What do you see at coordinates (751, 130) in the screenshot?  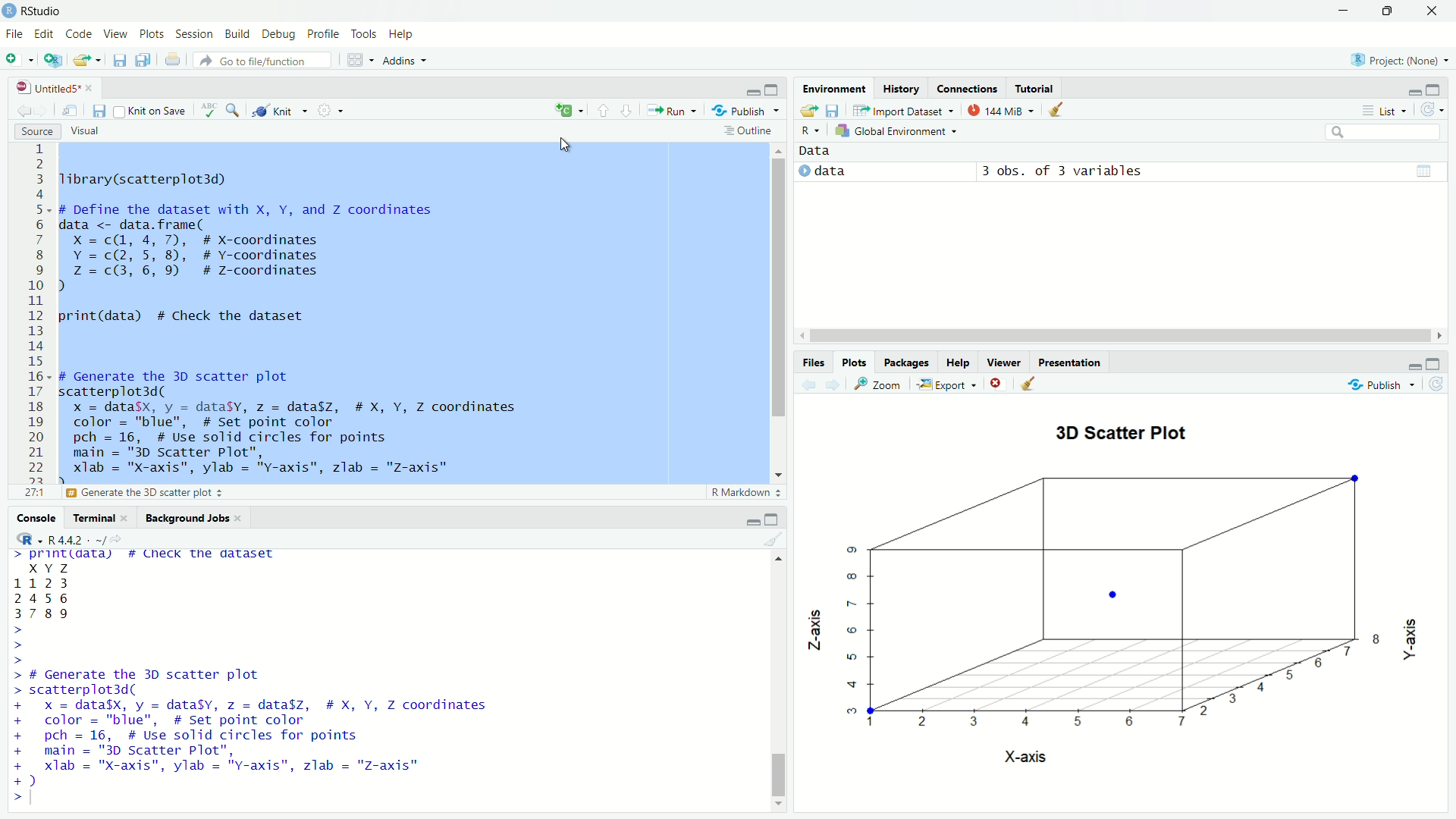 I see `outline` at bounding box center [751, 130].